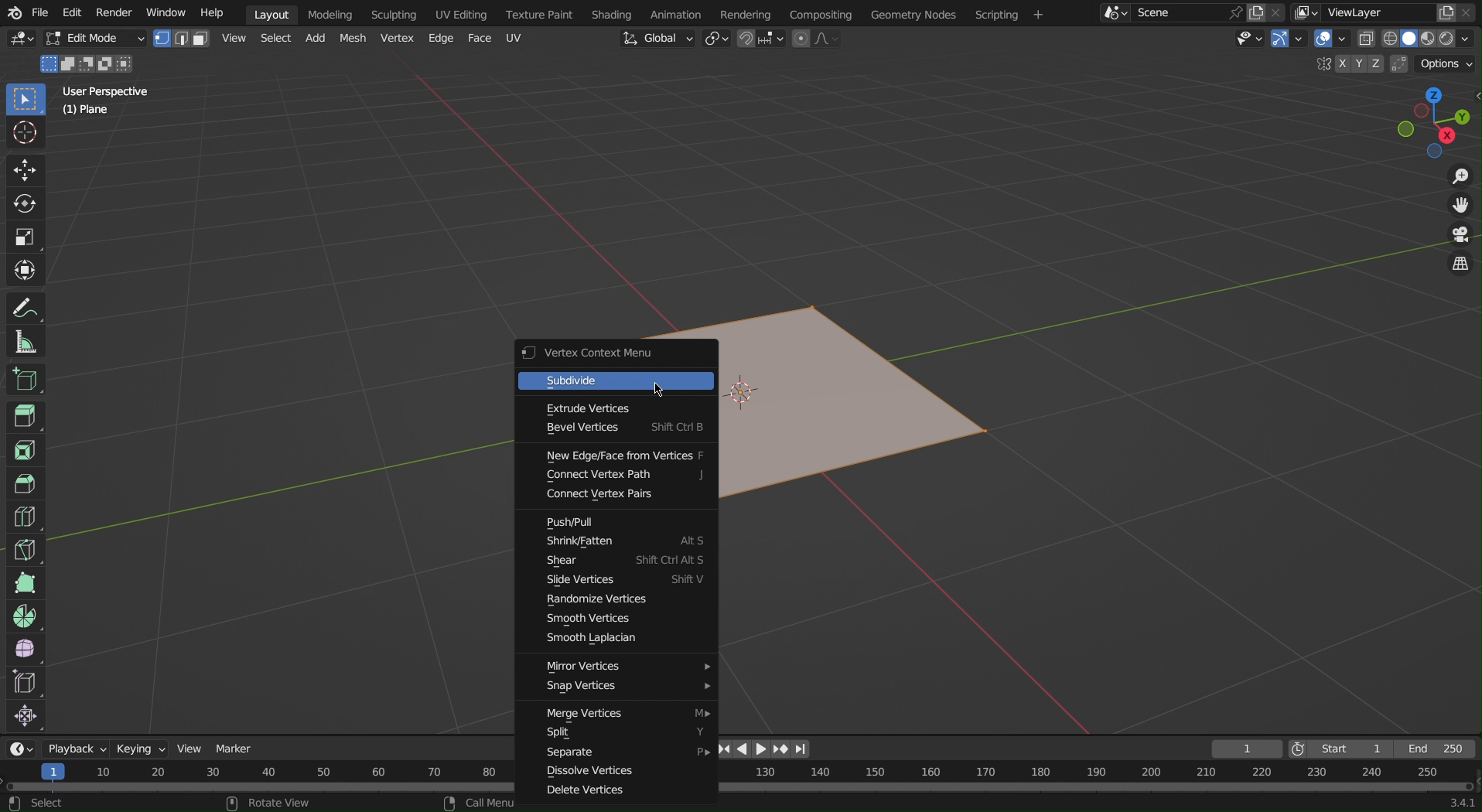 The height and width of the screenshot is (812, 1482). Describe the element at coordinates (1247, 749) in the screenshot. I see `Frame` at that location.